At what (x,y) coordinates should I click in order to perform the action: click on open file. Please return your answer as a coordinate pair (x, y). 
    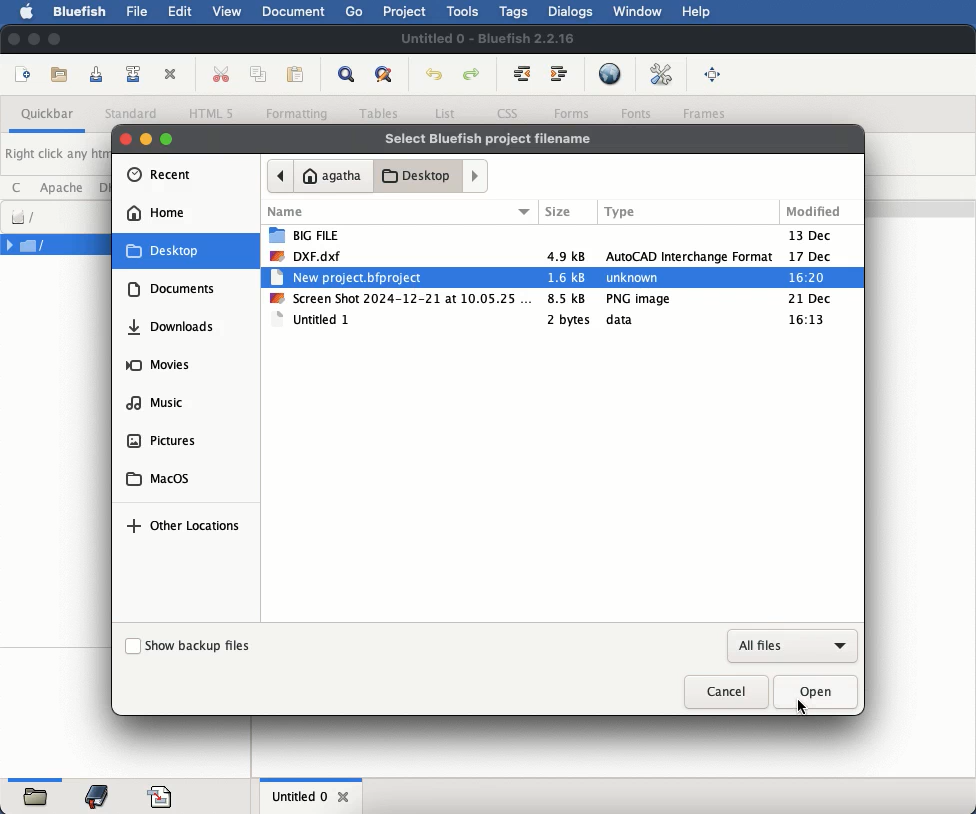
    Looking at the image, I should click on (62, 75).